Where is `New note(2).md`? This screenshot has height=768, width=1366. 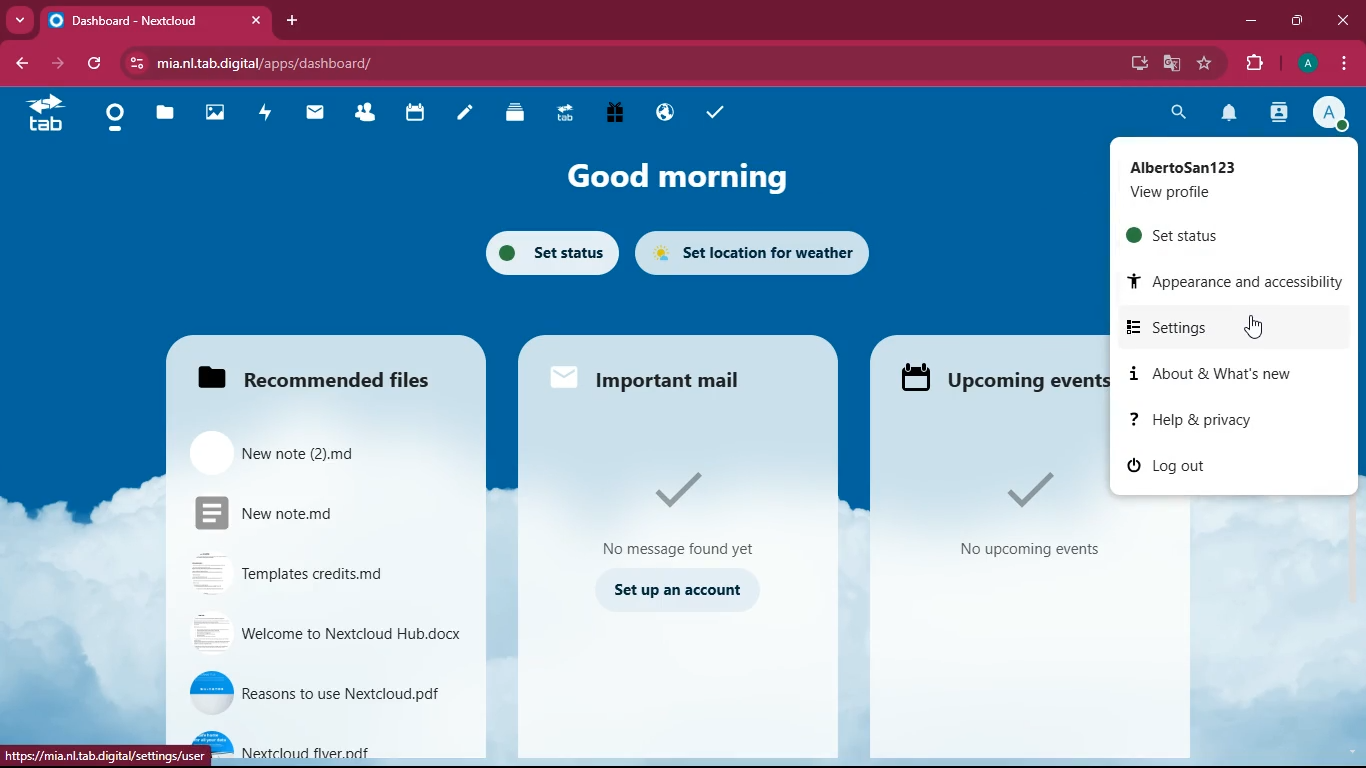 New note(2).md is located at coordinates (319, 451).